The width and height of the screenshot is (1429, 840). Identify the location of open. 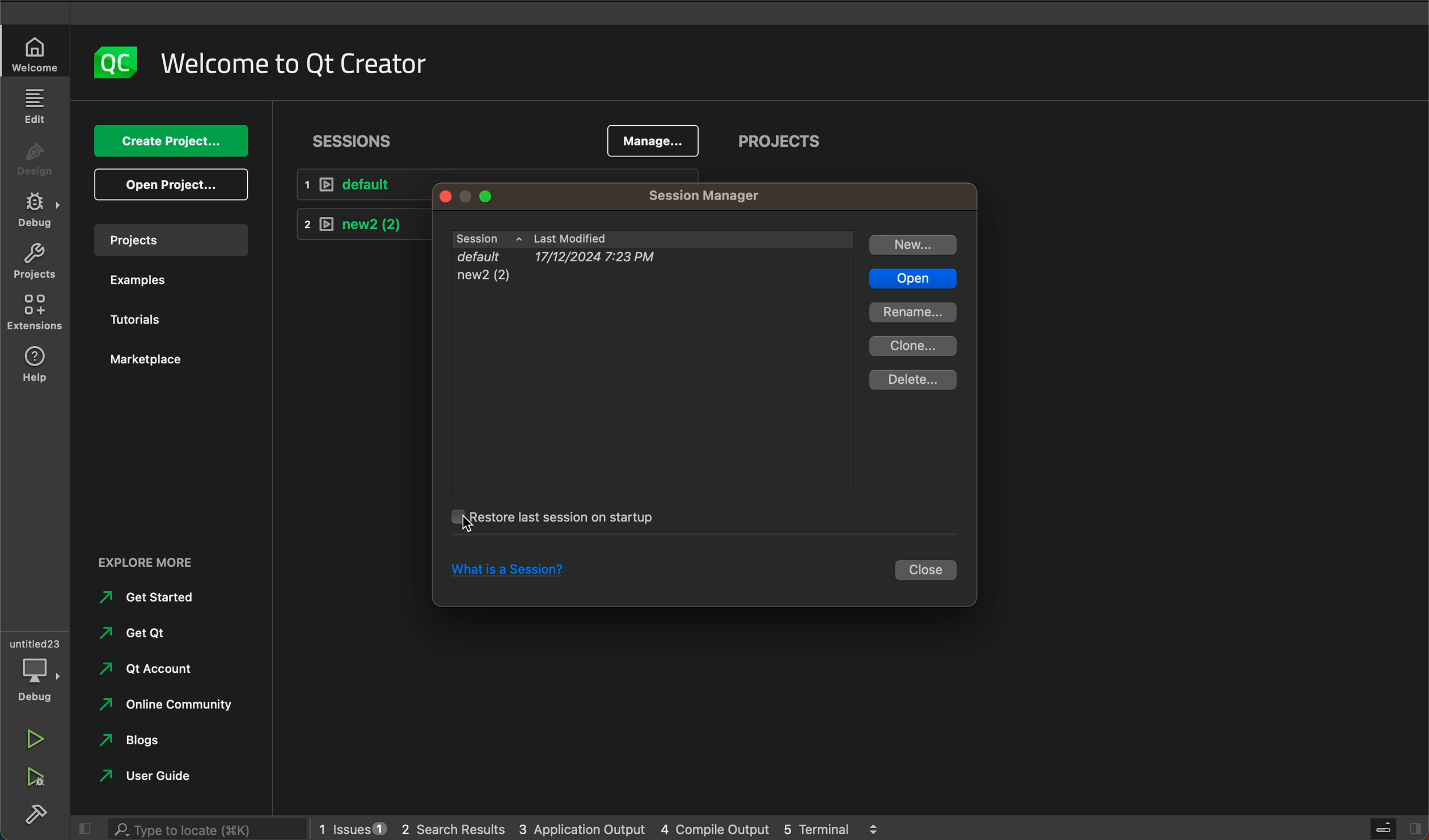
(169, 184).